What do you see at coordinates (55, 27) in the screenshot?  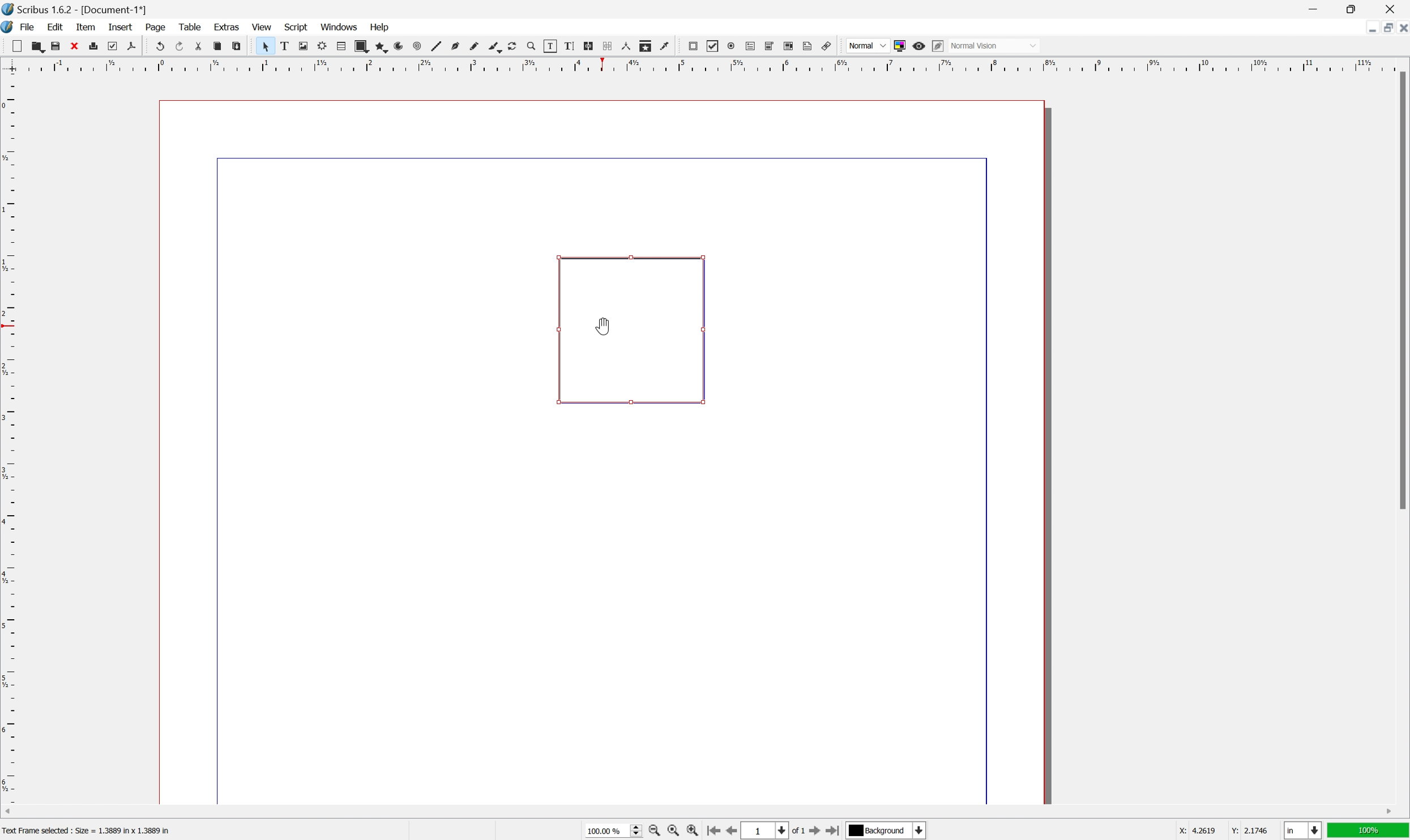 I see `edit` at bounding box center [55, 27].